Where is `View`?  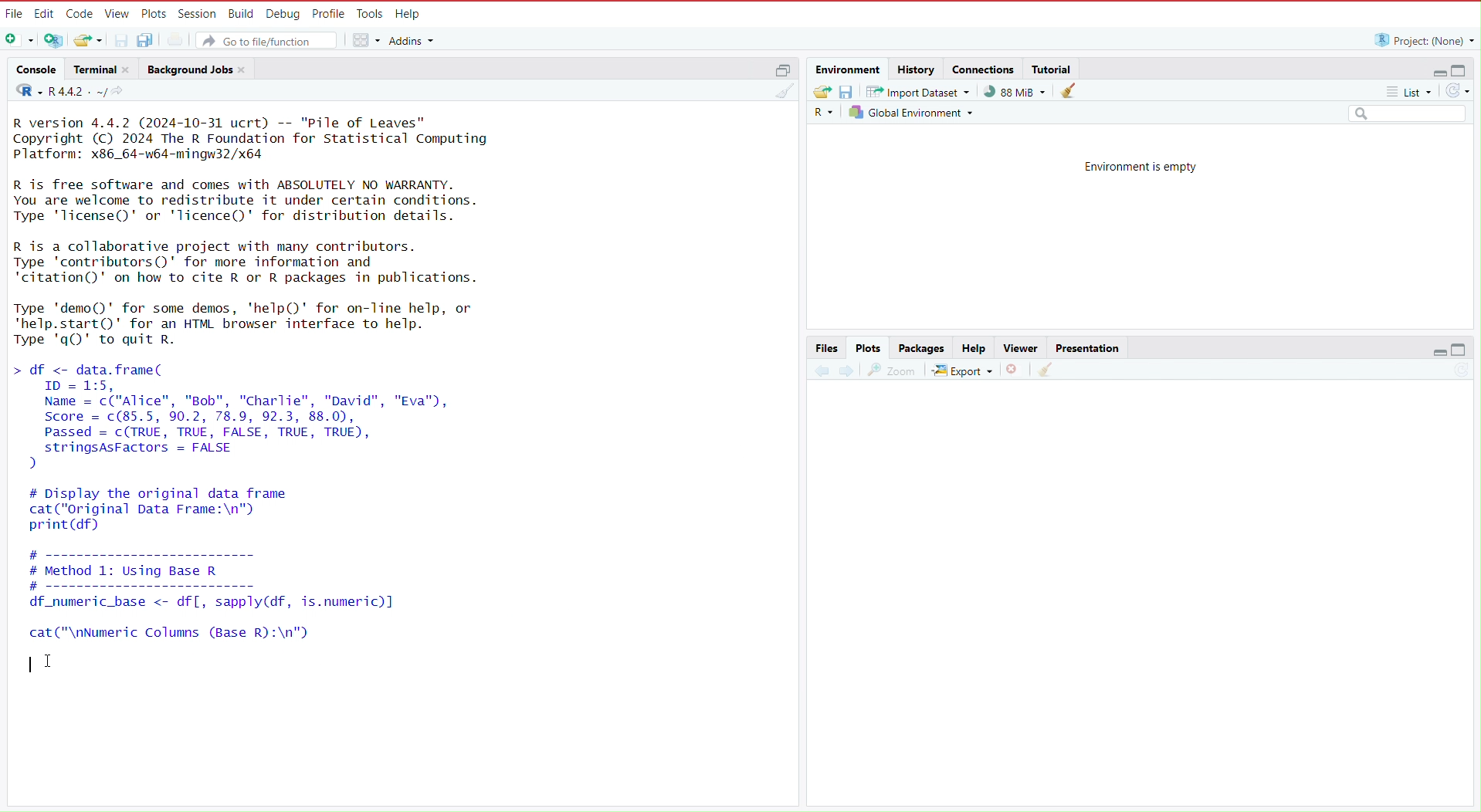 View is located at coordinates (118, 13).